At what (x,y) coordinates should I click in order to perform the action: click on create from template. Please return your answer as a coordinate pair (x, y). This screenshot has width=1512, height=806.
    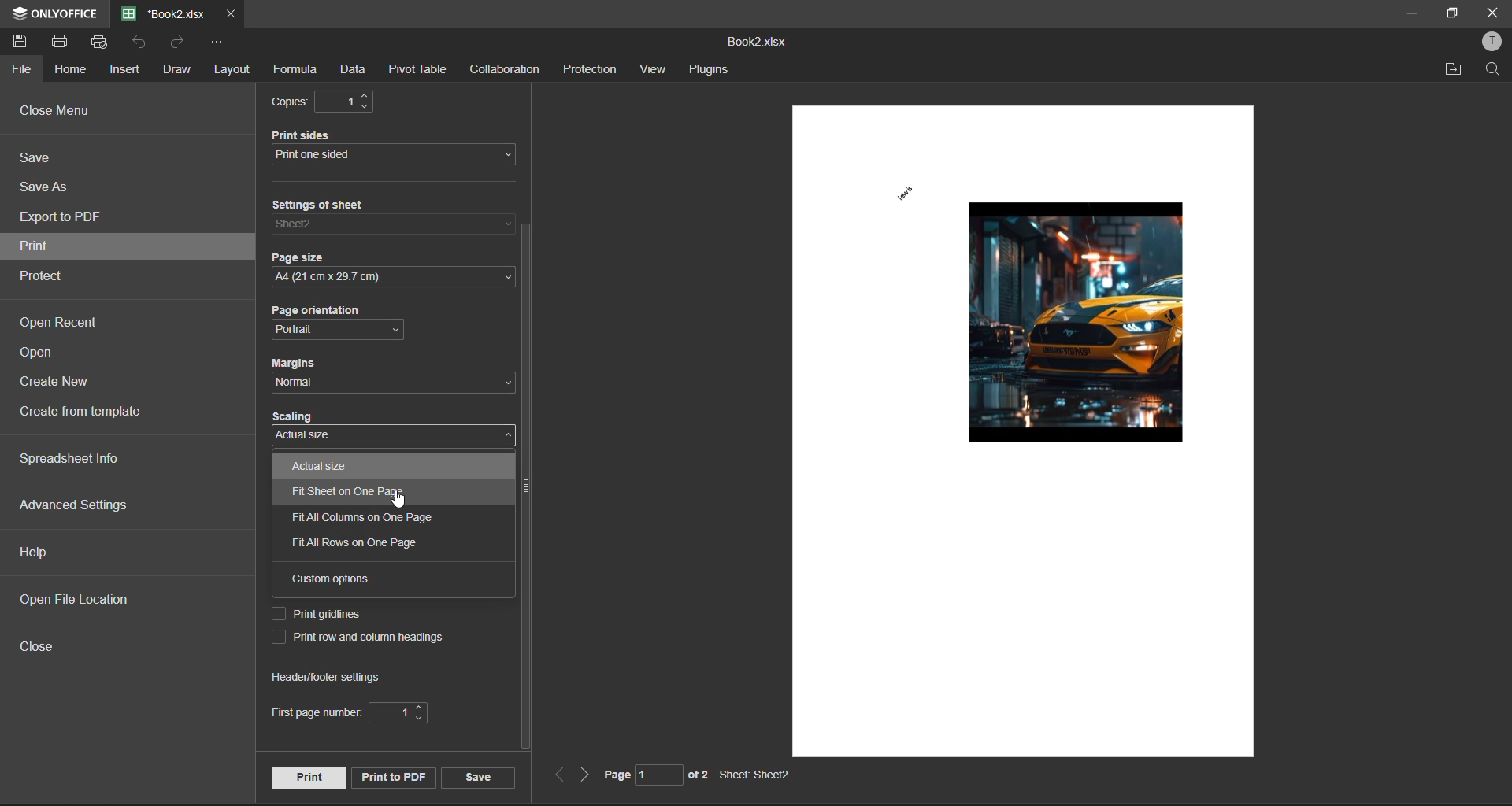
    Looking at the image, I should click on (93, 414).